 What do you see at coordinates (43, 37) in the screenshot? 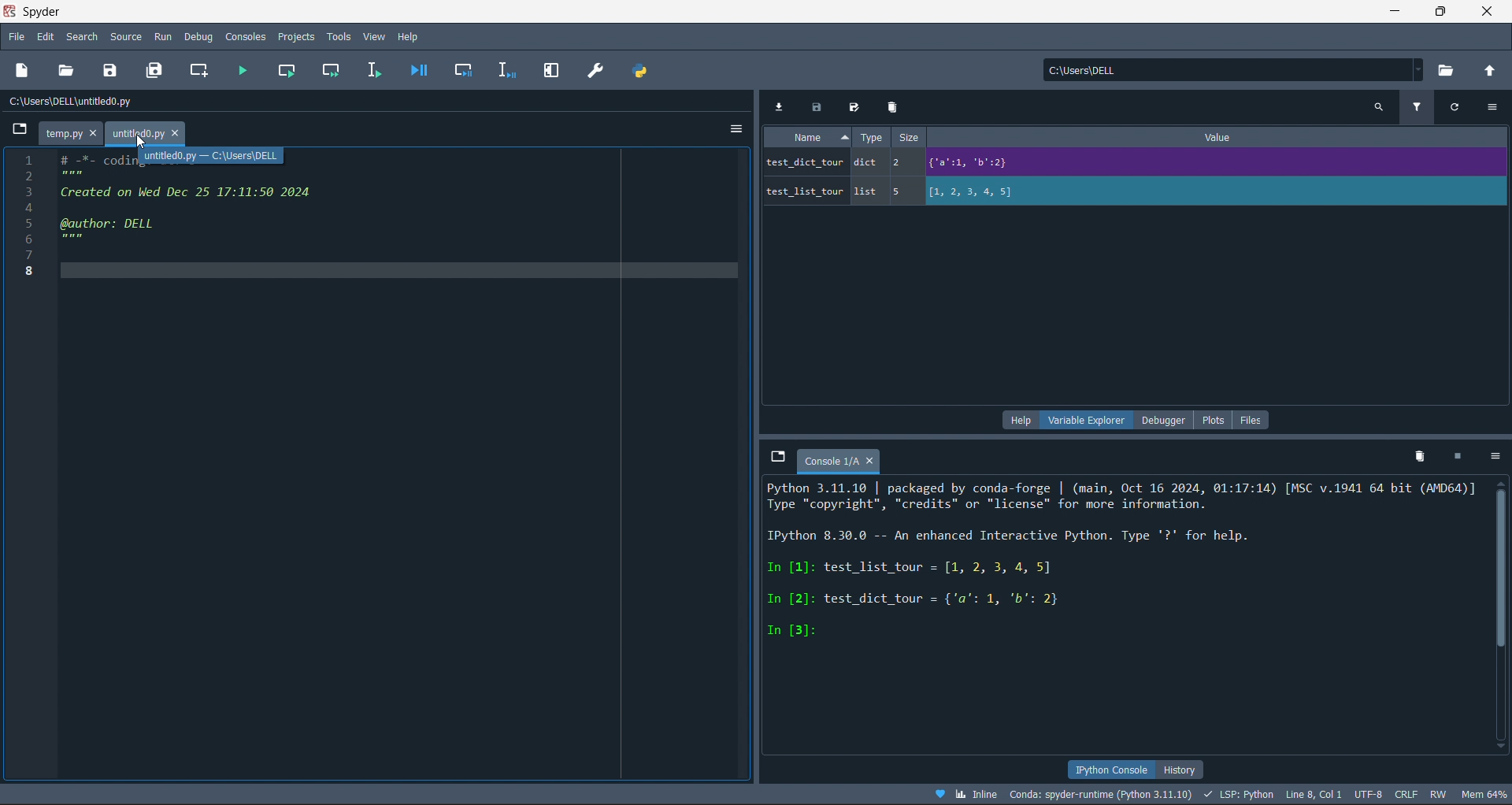
I see `edit` at bounding box center [43, 37].